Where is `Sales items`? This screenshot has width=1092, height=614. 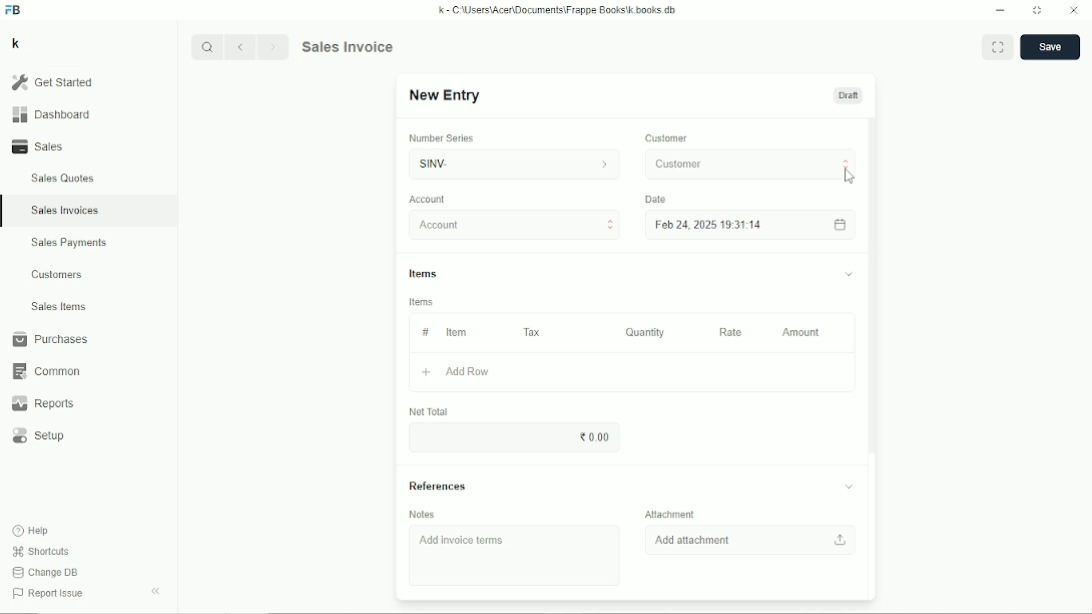 Sales items is located at coordinates (58, 307).